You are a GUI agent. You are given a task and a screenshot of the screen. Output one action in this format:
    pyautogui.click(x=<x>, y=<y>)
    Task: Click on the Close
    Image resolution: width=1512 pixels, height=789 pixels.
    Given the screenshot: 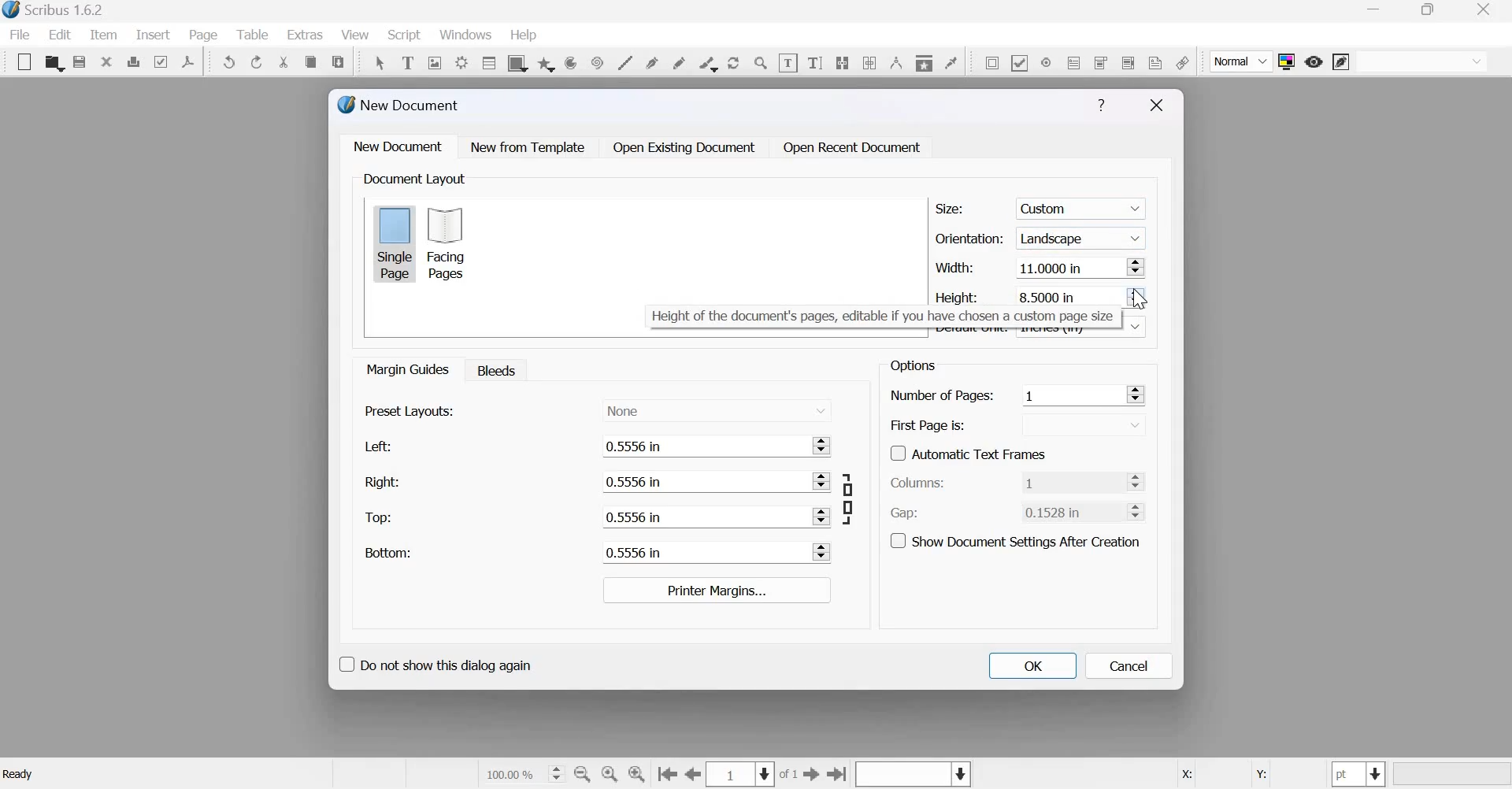 What is the action you would take?
    pyautogui.click(x=1157, y=106)
    